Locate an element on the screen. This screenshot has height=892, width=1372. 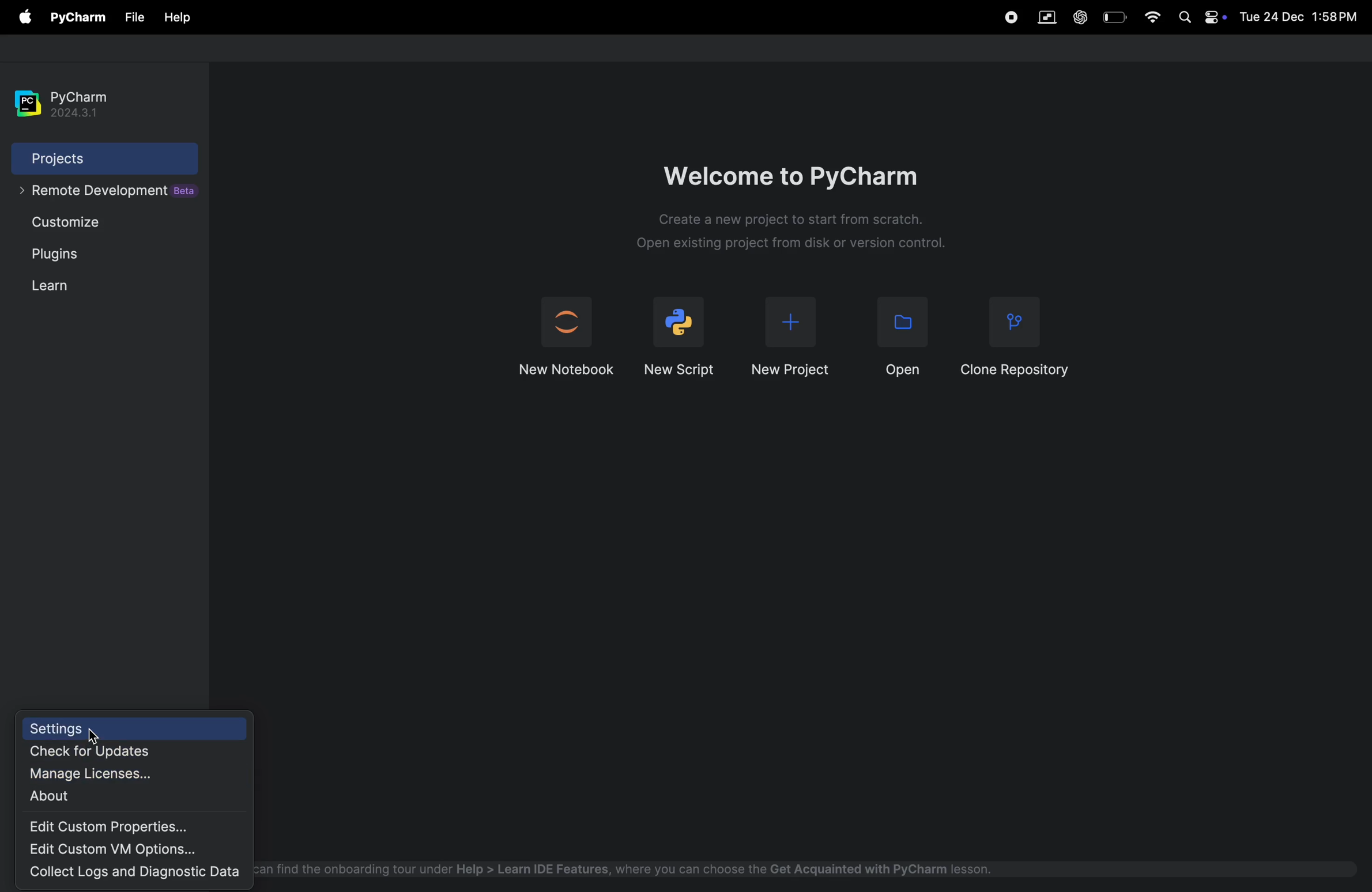
collect logs and diagnostics data is located at coordinates (139, 873).